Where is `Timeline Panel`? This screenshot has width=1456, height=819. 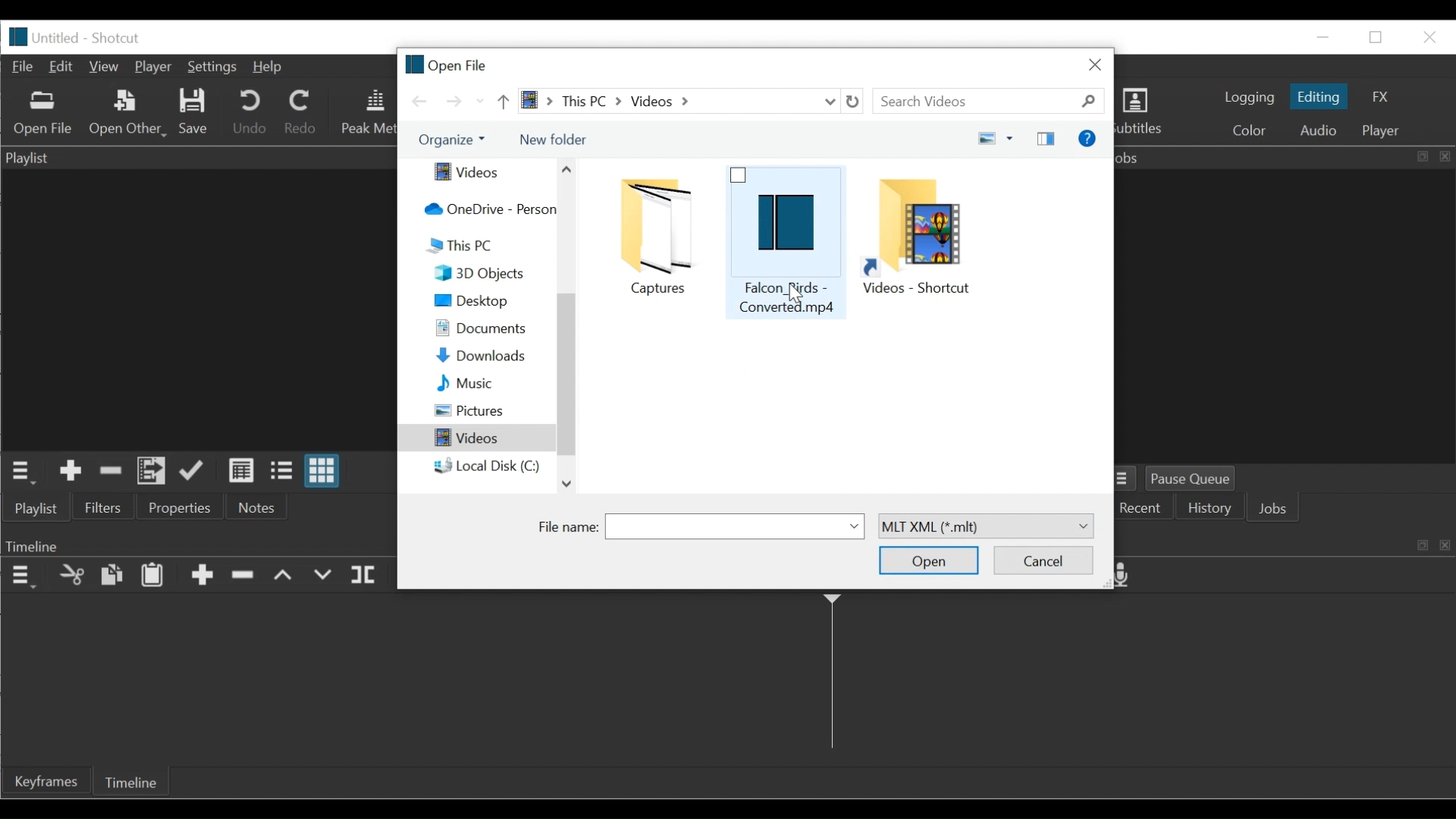
Timeline Panel is located at coordinates (21, 576).